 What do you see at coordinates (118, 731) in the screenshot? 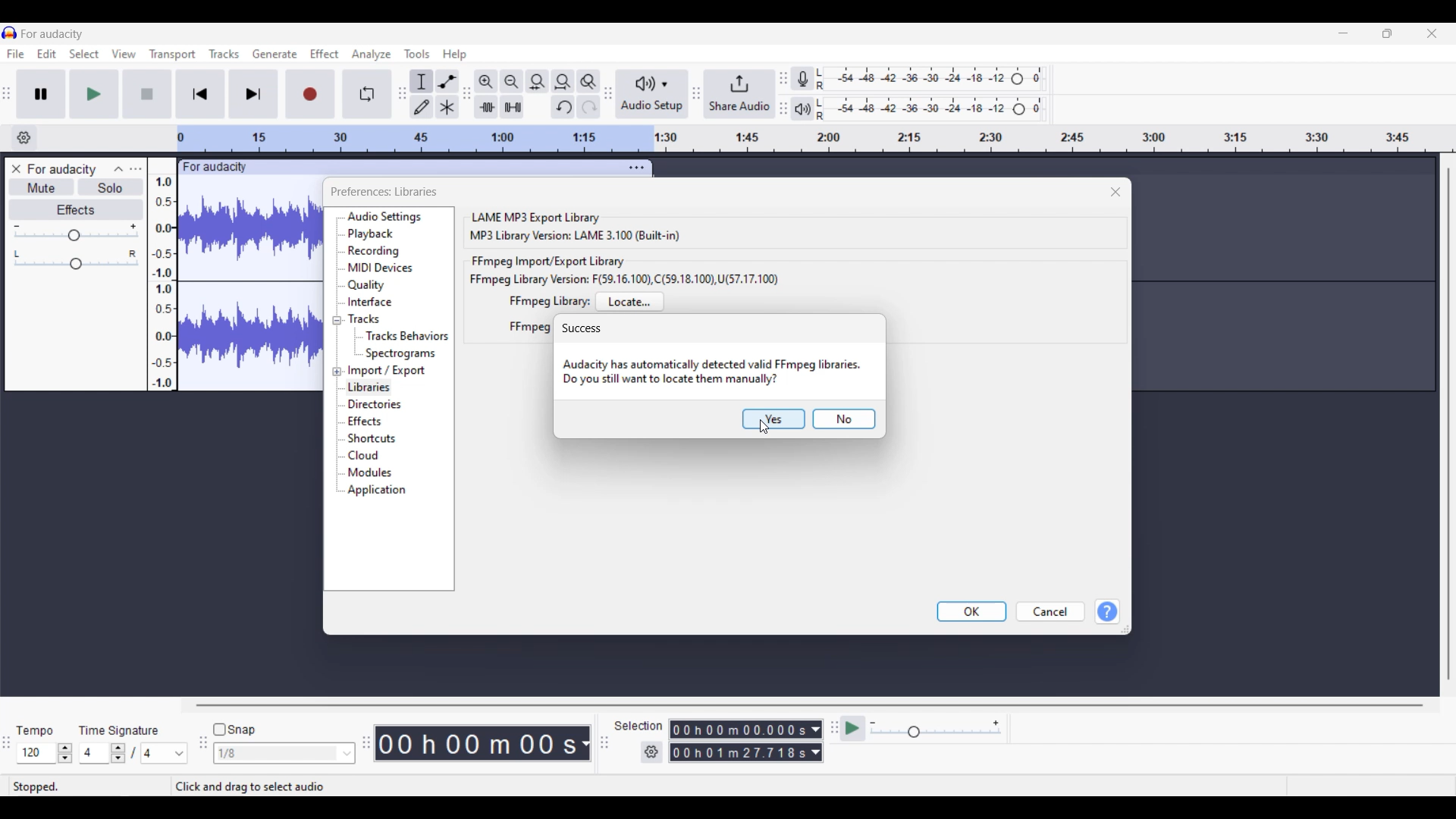
I see `time signature` at bounding box center [118, 731].